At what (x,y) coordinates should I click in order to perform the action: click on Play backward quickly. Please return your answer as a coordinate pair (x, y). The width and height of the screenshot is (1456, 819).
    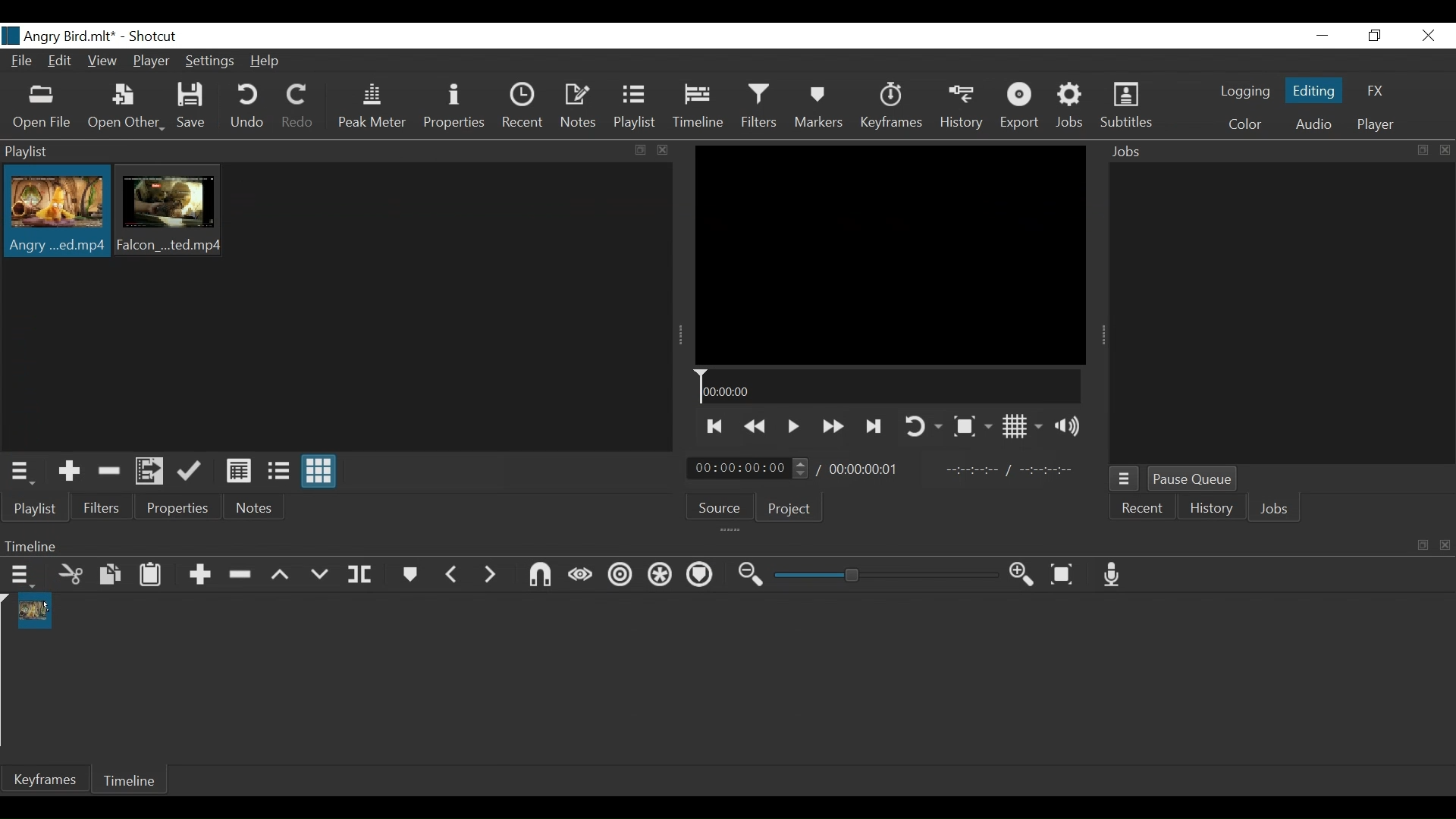
    Looking at the image, I should click on (756, 428).